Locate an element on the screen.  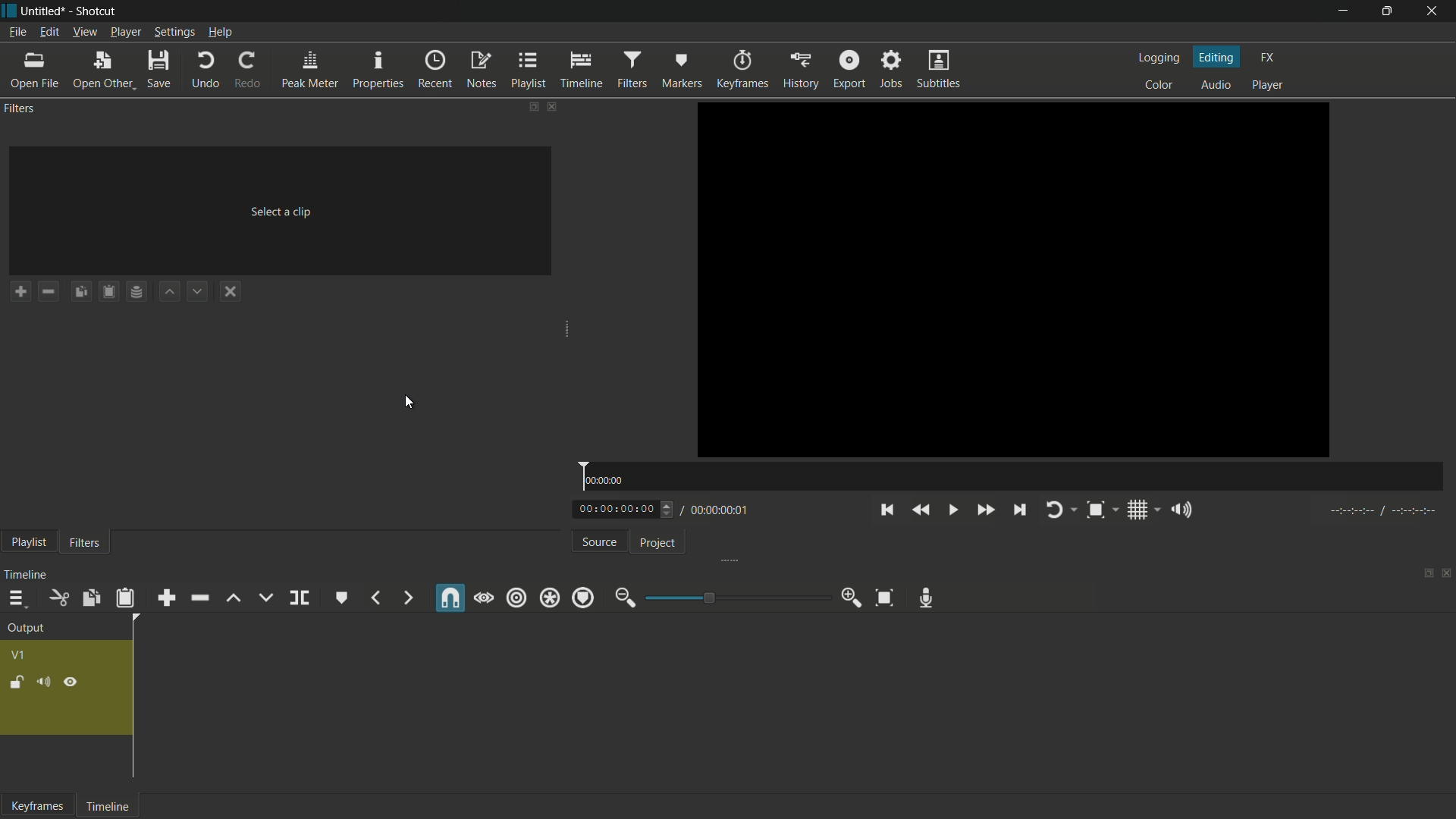
move filter up is located at coordinates (171, 291).